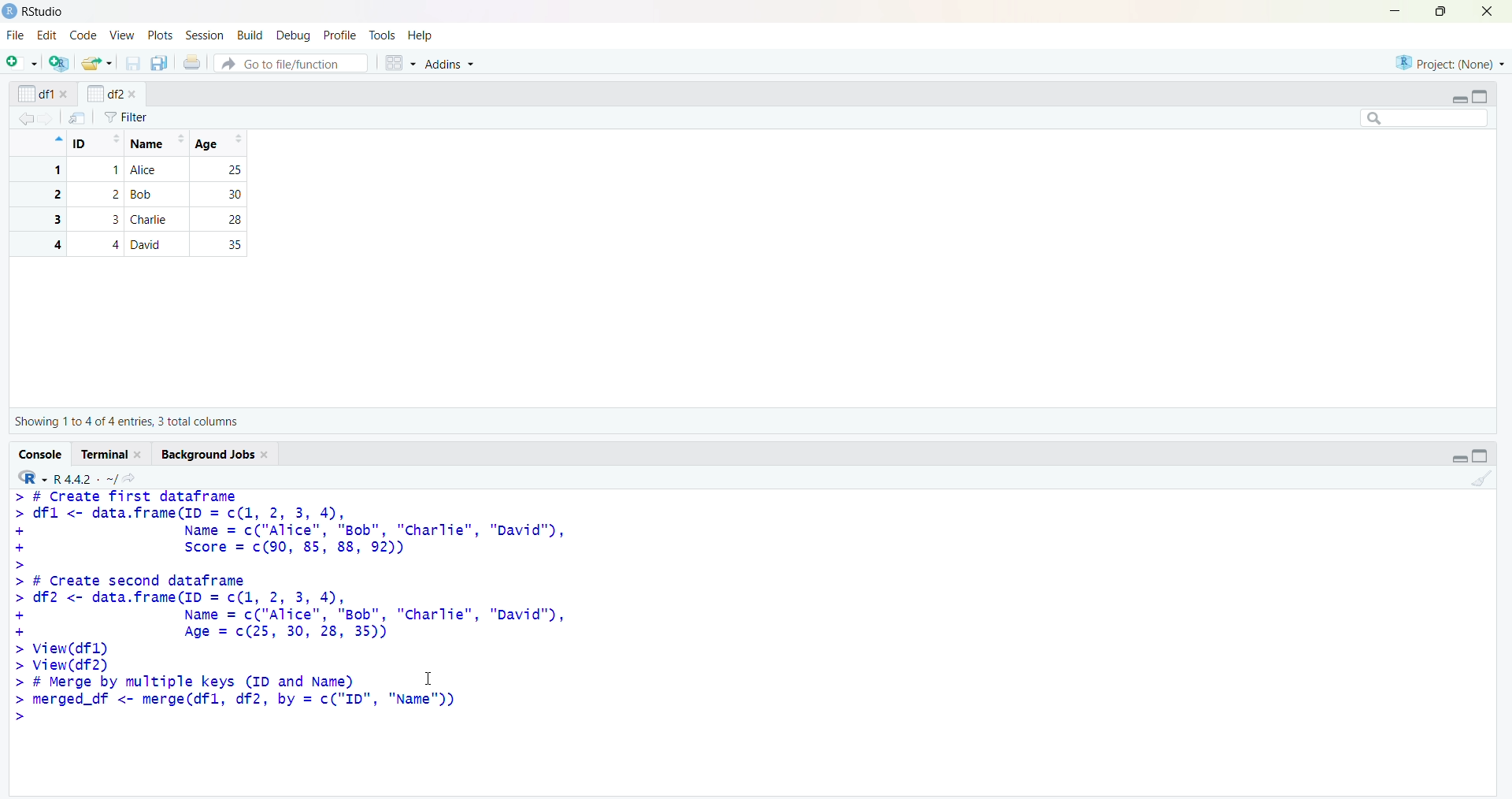 The image size is (1512, 799). What do you see at coordinates (1480, 455) in the screenshot?
I see `toggle full view` at bounding box center [1480, 455].